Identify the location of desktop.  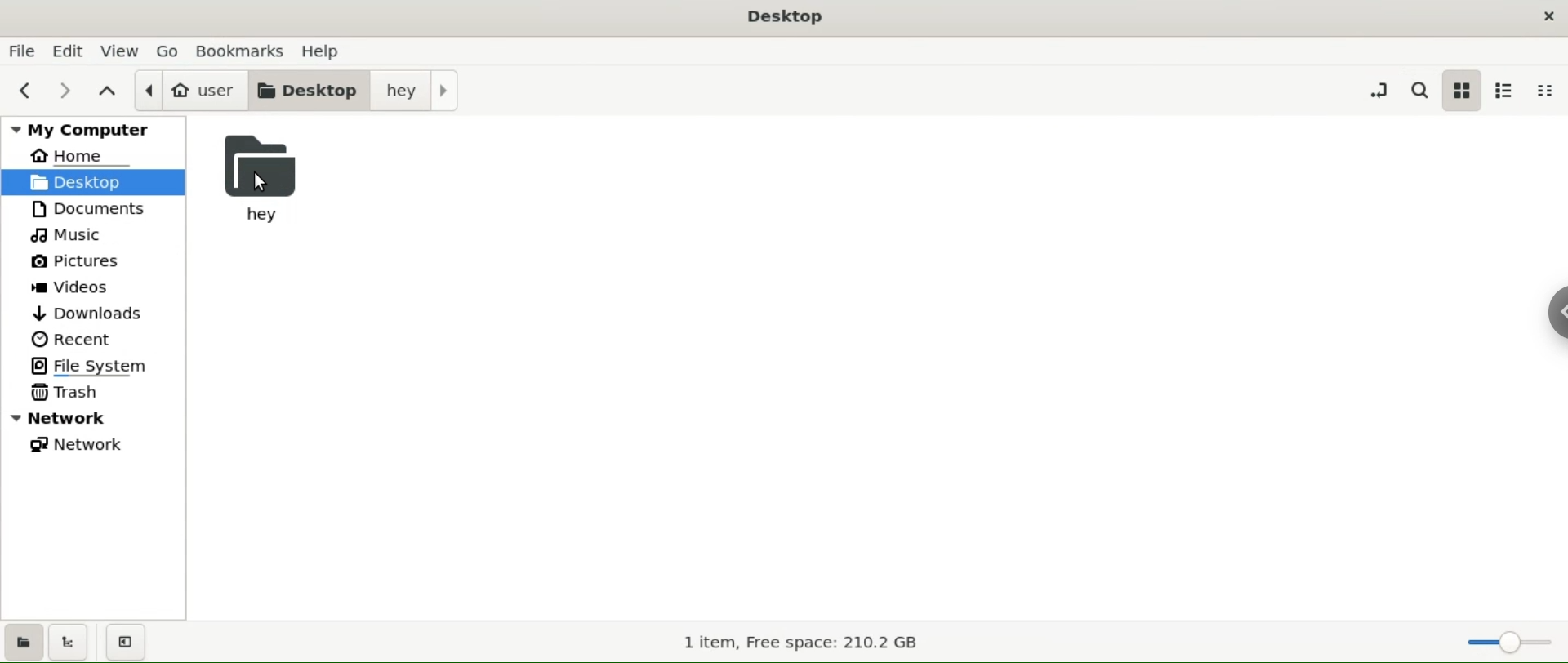
(93, 183).